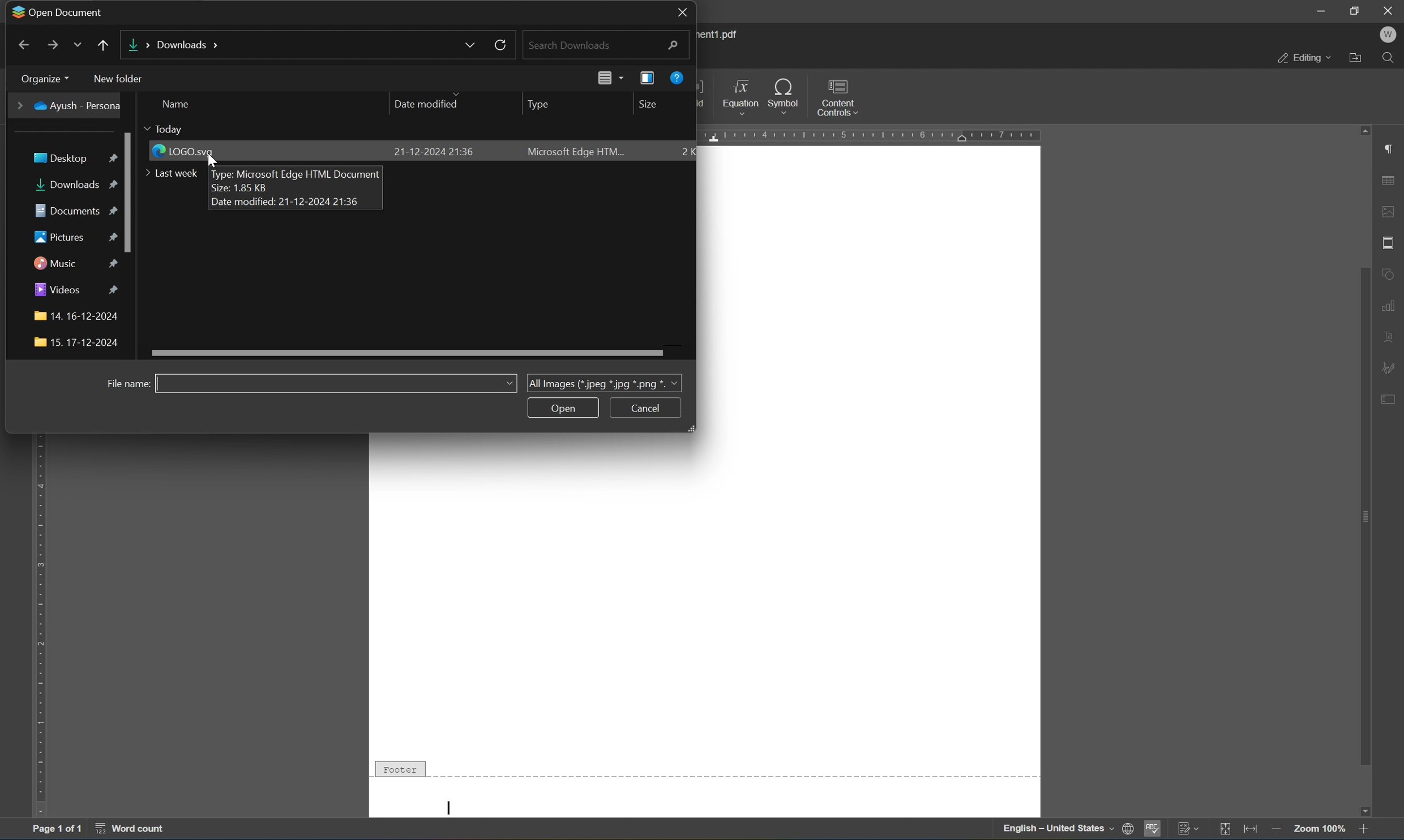 The image size is (1404, 840). What do you see at coordinates (1390, 11) in the screenshot?
I see `close` at bounding box center [1390, 11].